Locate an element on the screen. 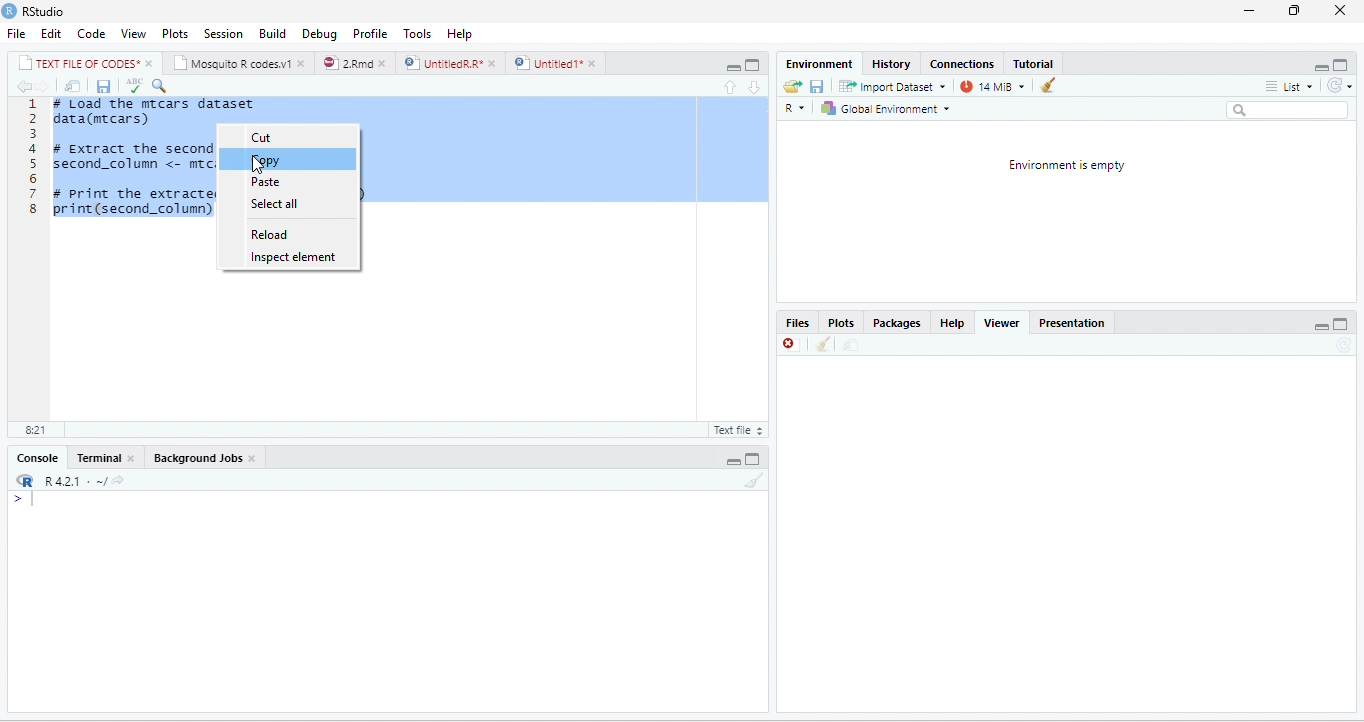 The width and height of the screenshot is (1364, 722). close is located at coordinates (150, 62).